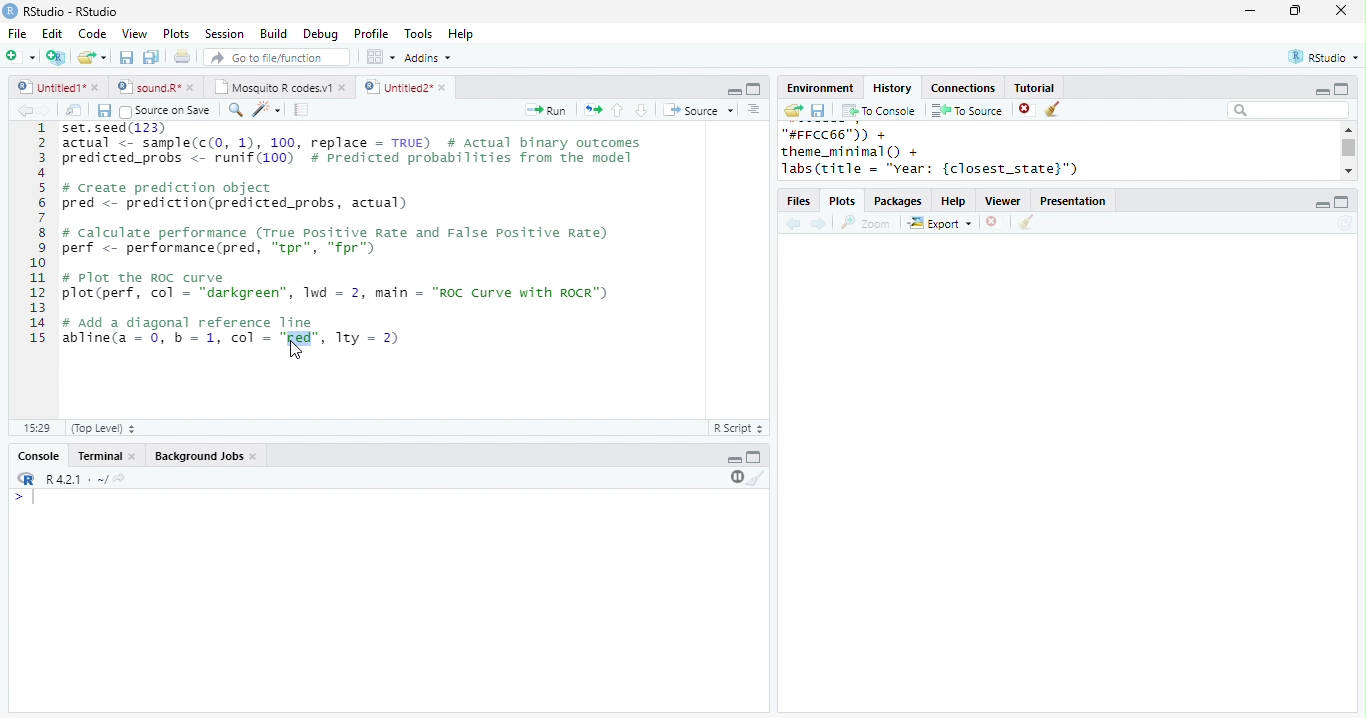  What do you see at coordinates (1342, 202) in the screenshot?
I see `maximize` at bounding box center [1342, 202].